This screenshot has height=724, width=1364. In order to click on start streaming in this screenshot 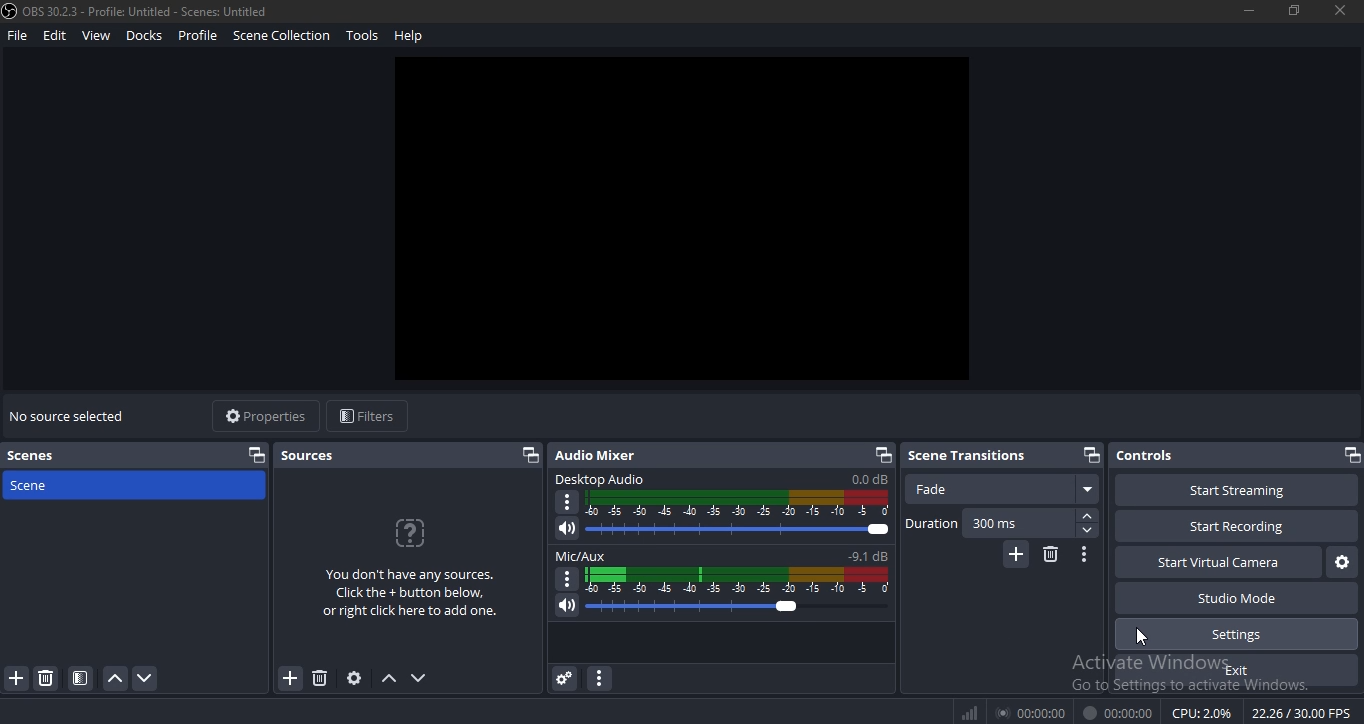, I will do `click(1225, 488)`.